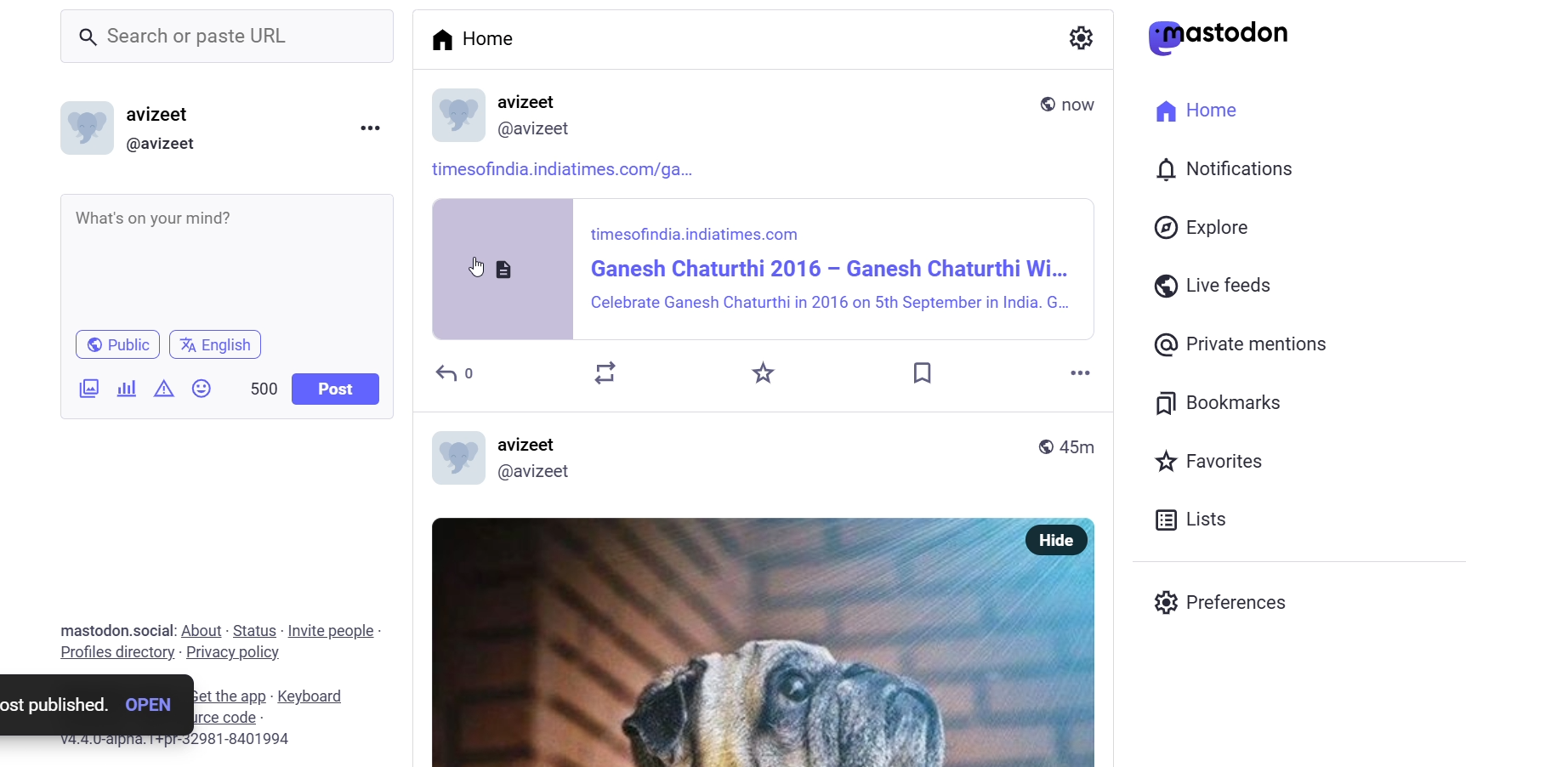 The height and width of the screenshot is (767, 1568). Describe the element at coordinates (1233, 608) in the screenshot. I see ` Preferences` at that location.